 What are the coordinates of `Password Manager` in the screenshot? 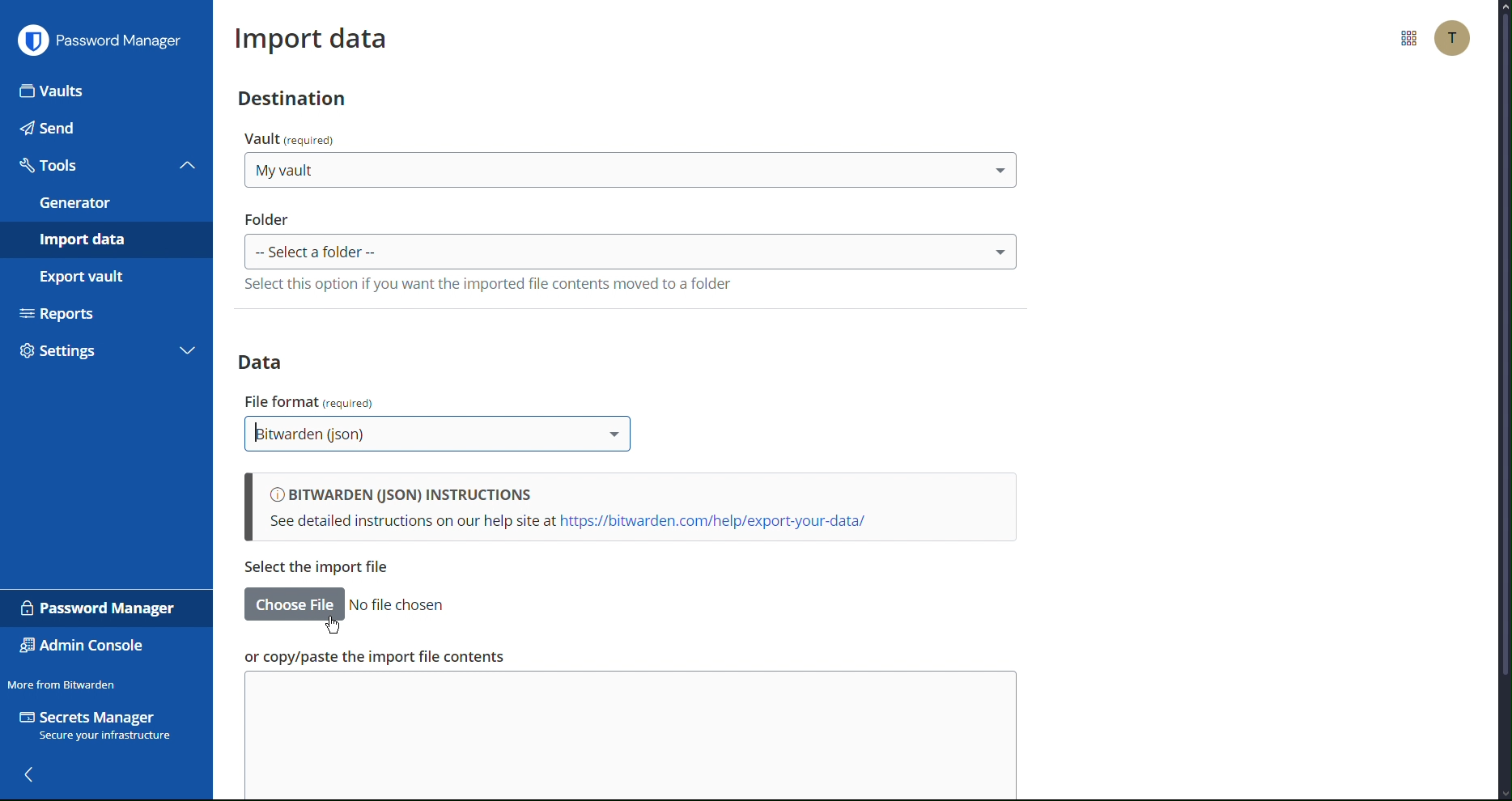 It's located at (100, 608).